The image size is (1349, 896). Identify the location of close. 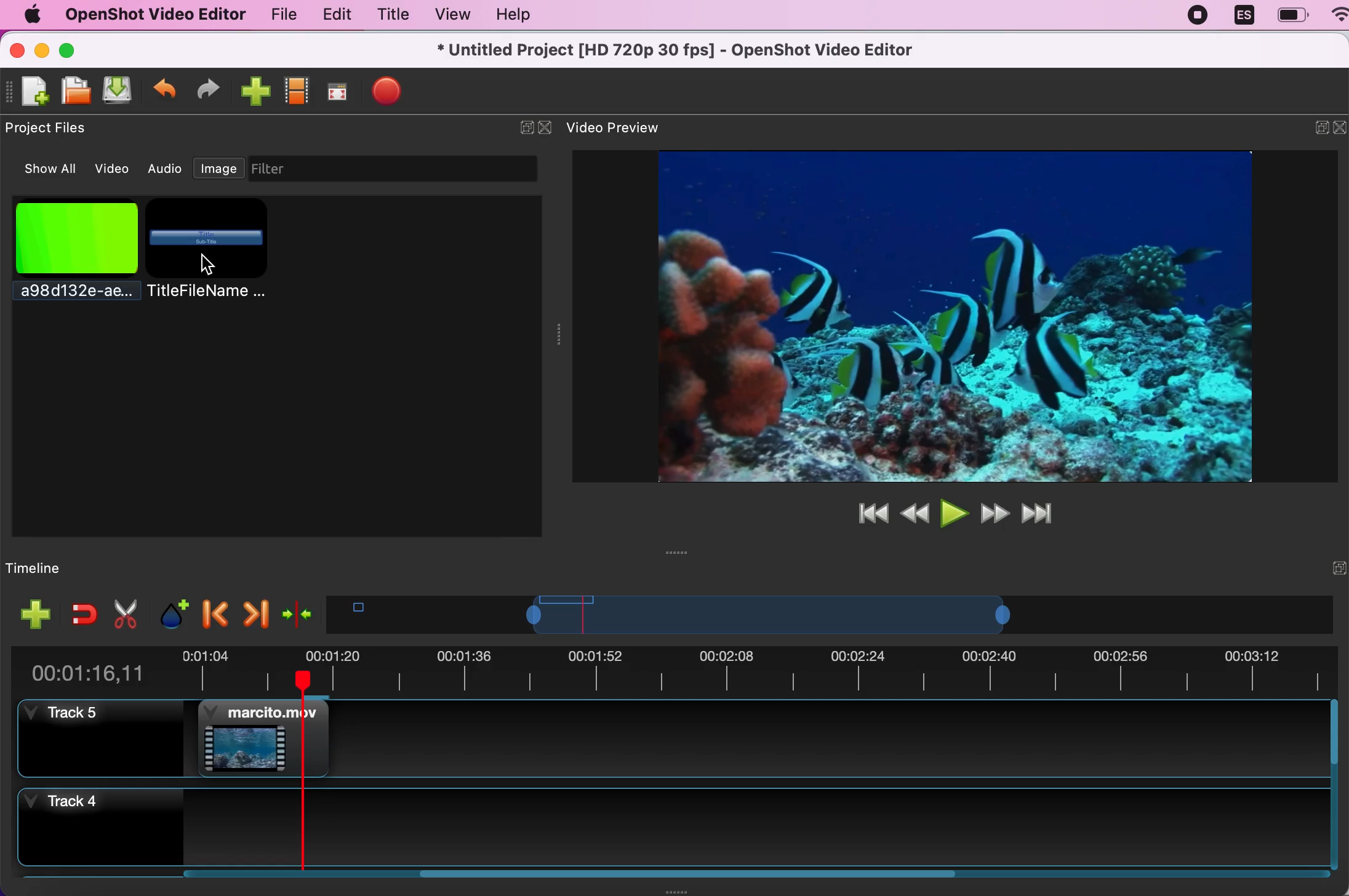
(17, 49).